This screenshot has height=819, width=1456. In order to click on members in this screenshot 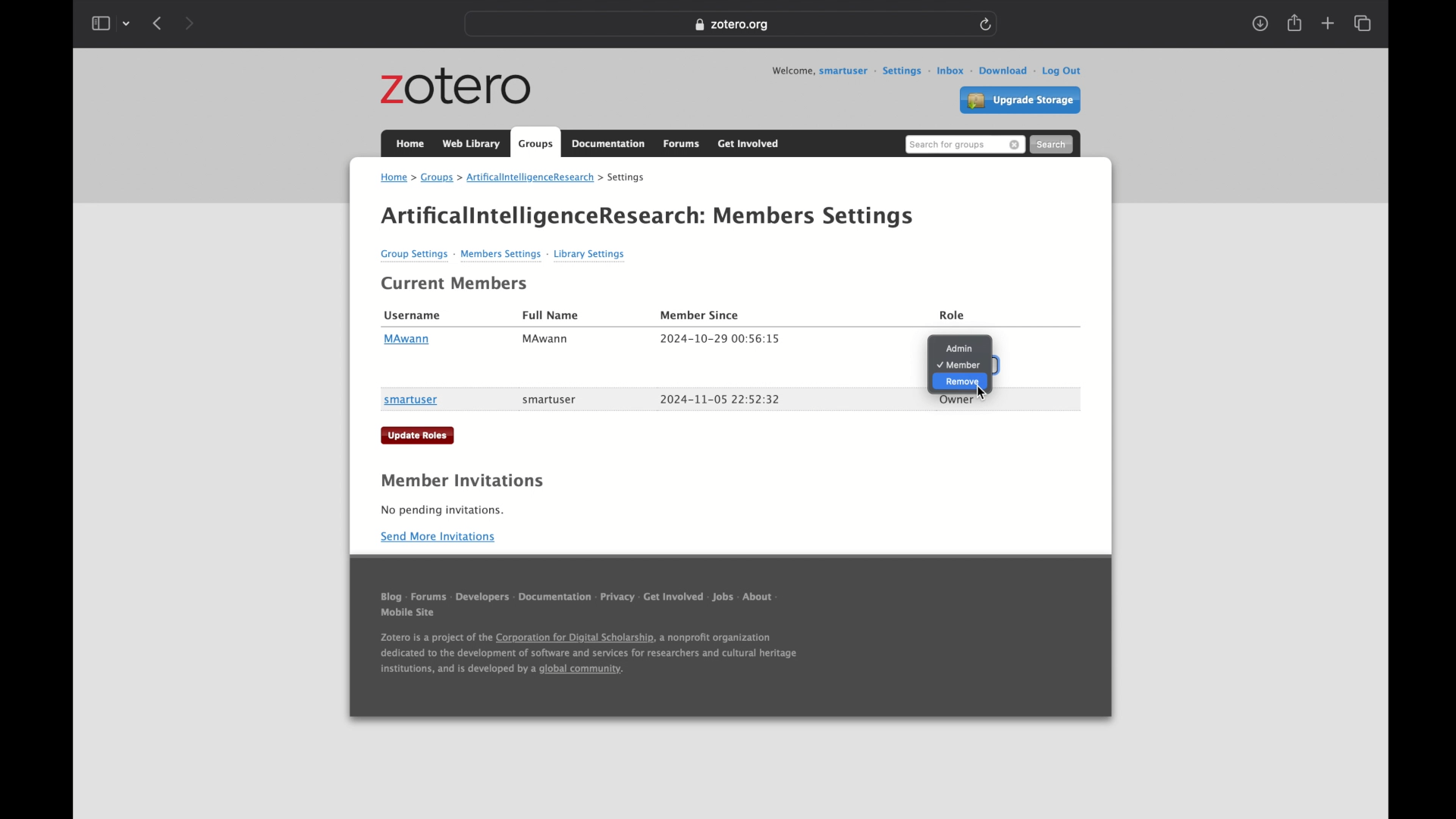, I will do `click(959, 365)`.